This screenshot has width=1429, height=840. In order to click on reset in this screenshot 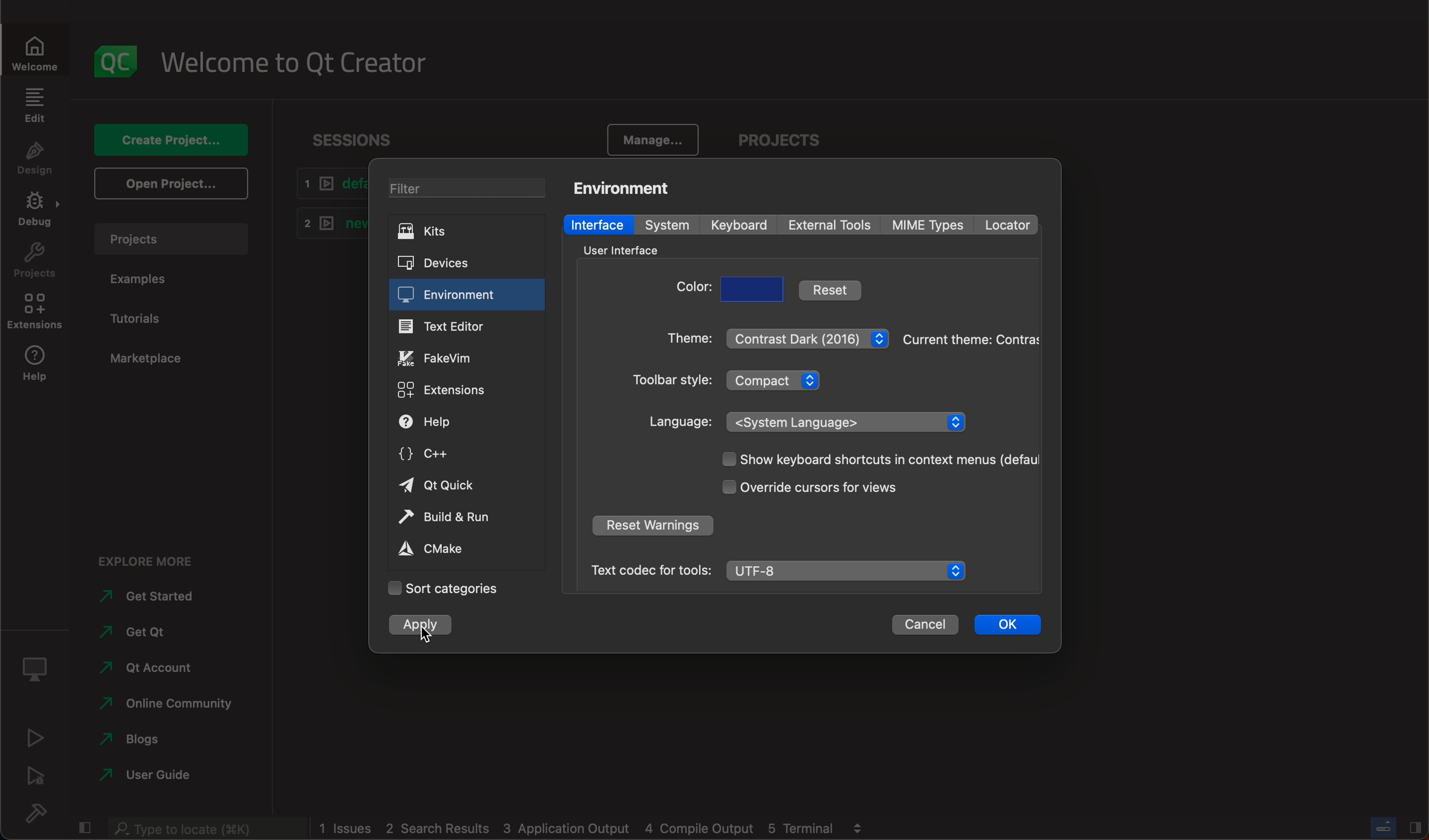, I will do `click(831, 289)`.